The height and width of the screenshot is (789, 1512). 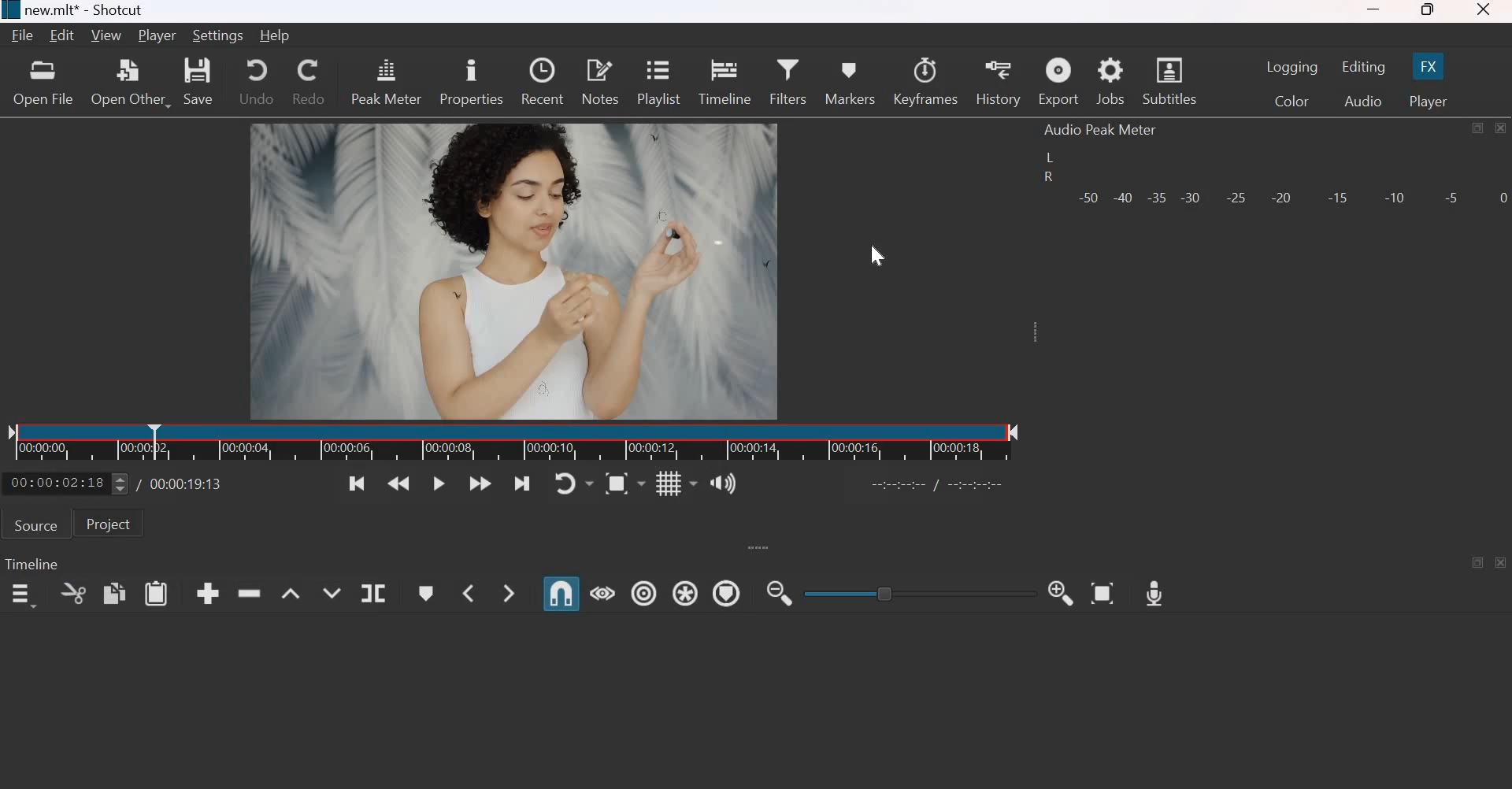 I want to click on Recent, so click(x=543, y=81).